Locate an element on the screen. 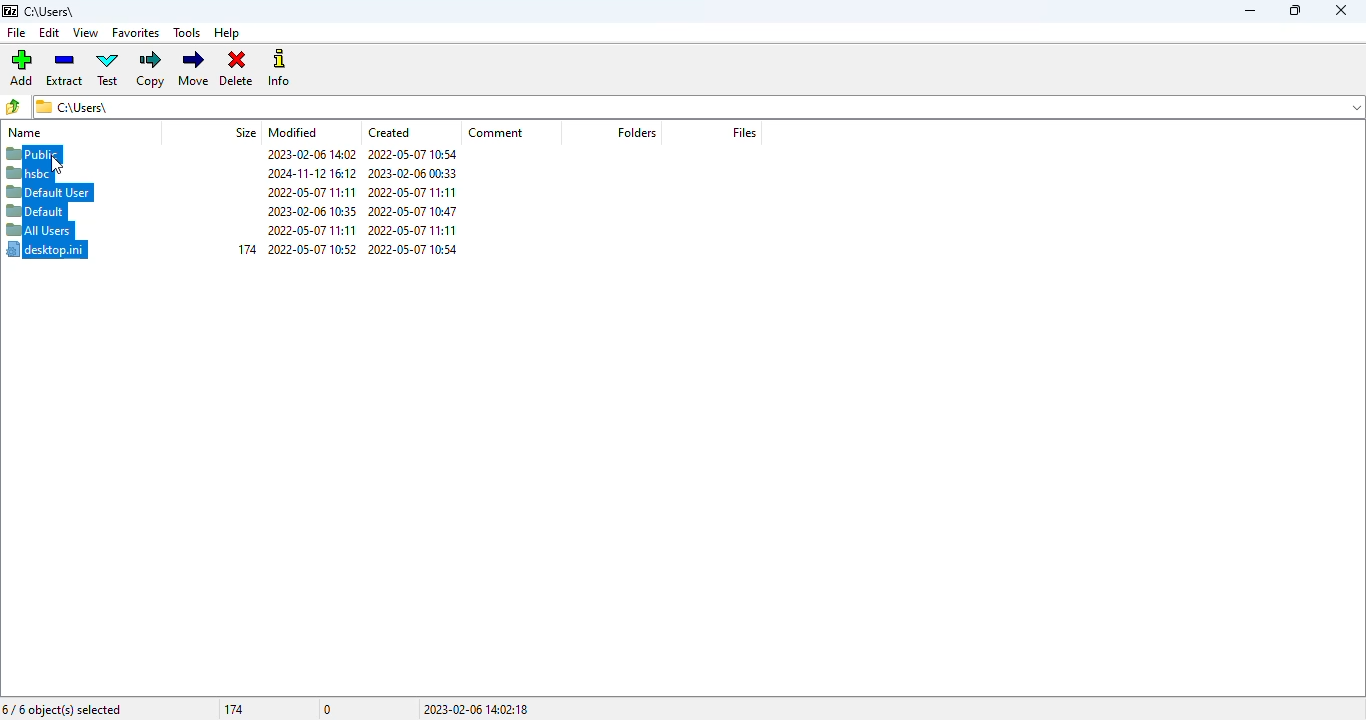  copy is located at coordinates (151, 69).